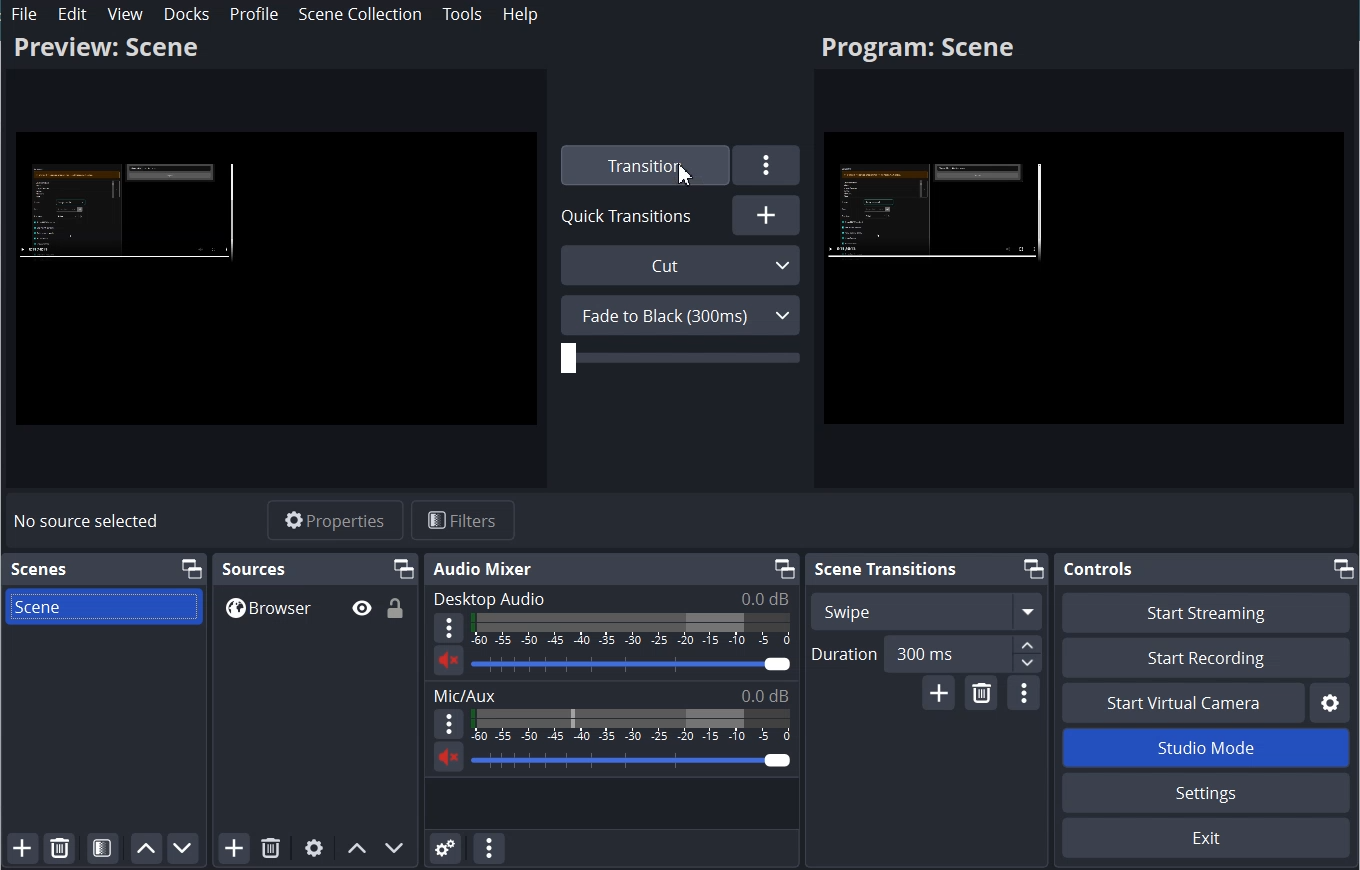 This screenshot has height=870, width=1360. What do you see at coordinates (361, 608) in the screenshot?
I see `Hide` at bounding box center [361, 608].